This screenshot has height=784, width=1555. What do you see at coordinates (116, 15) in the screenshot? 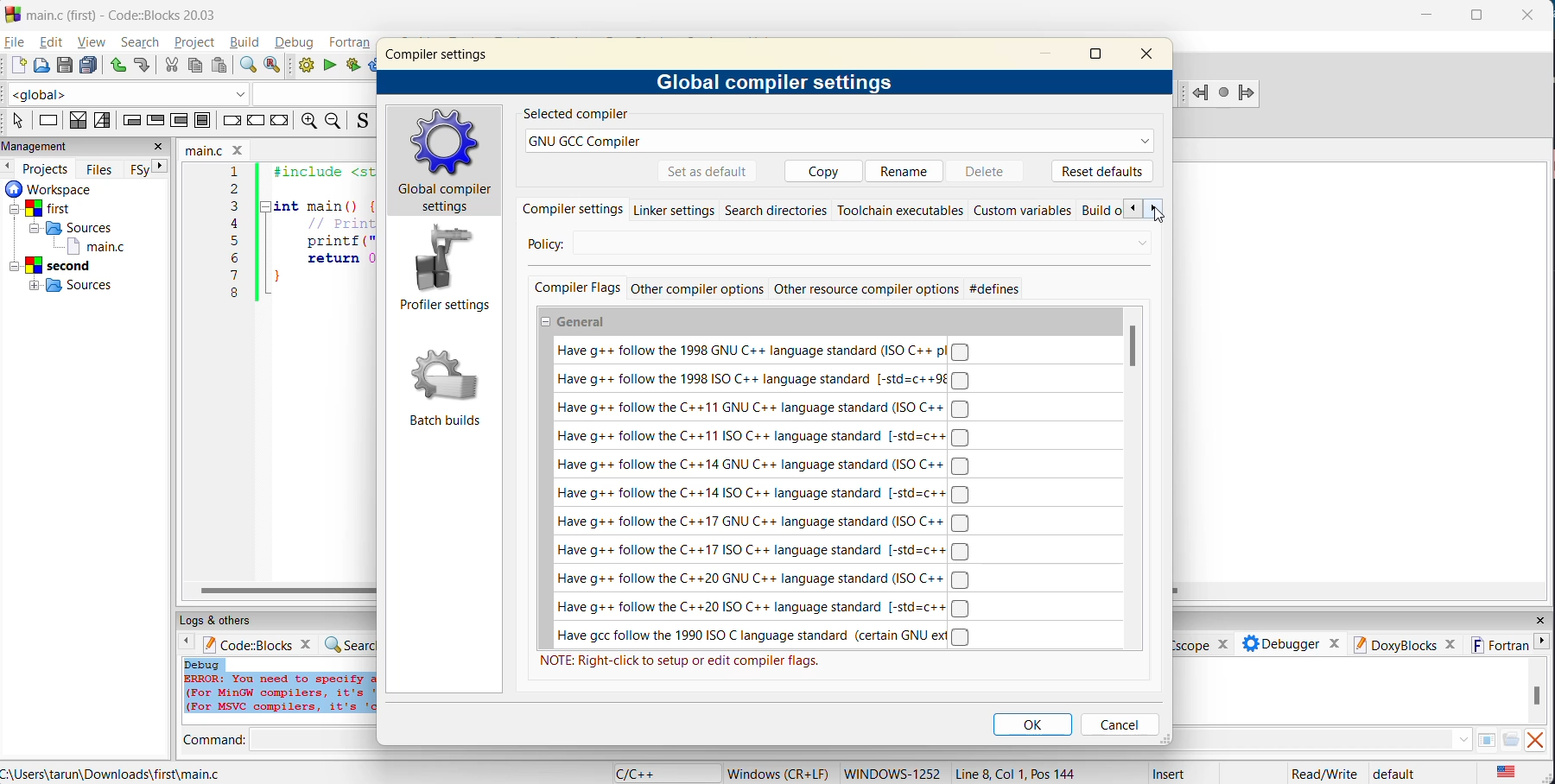
I see `main.c (first) - Code::Blocks 20.03` at bounding box center [116, 15].